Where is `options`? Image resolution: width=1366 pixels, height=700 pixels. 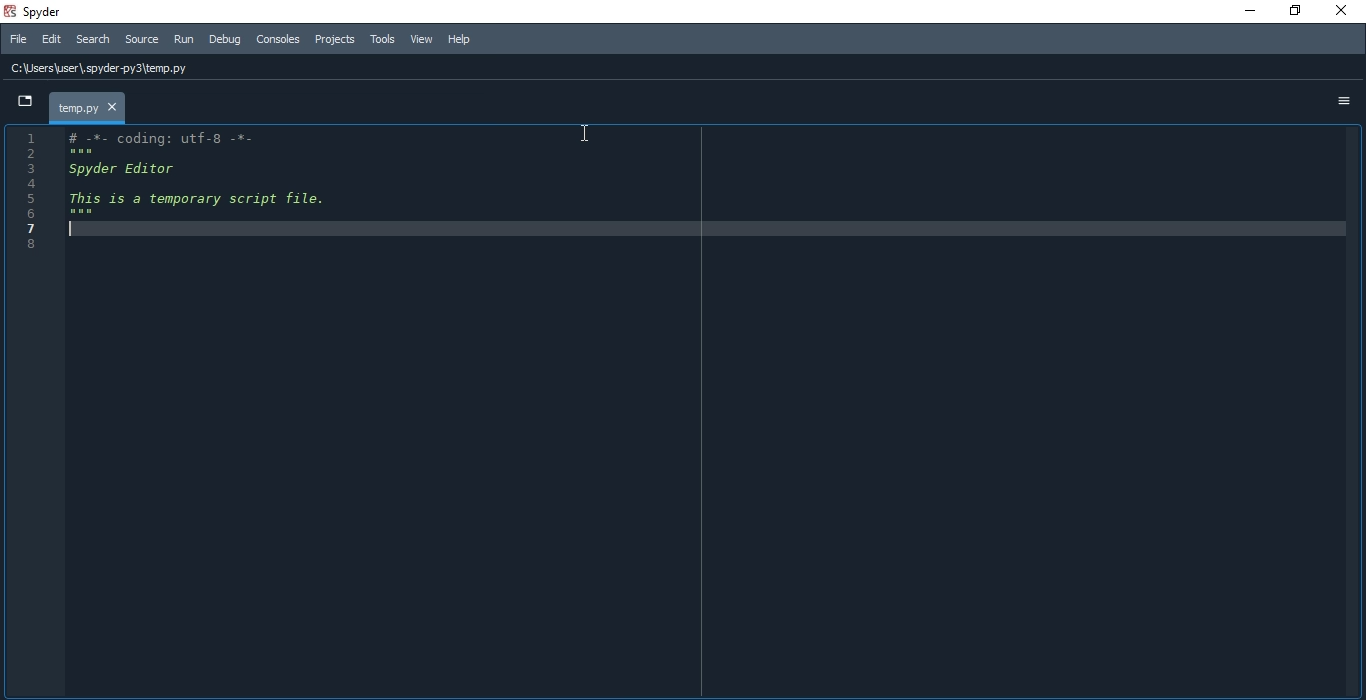 options is located at coordinates (1344, 100).